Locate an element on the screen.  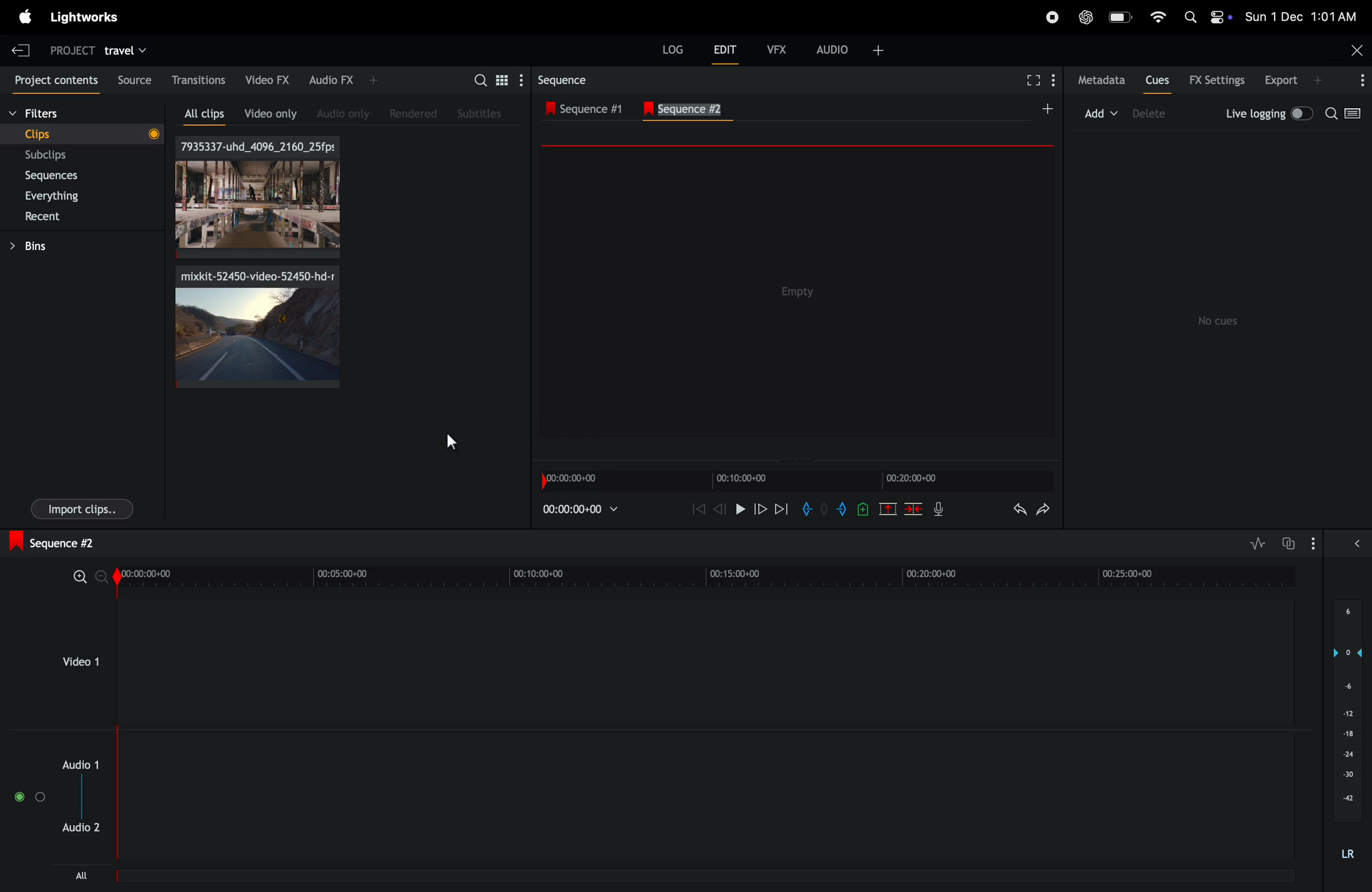
bins is located at coordinates (77, 246).